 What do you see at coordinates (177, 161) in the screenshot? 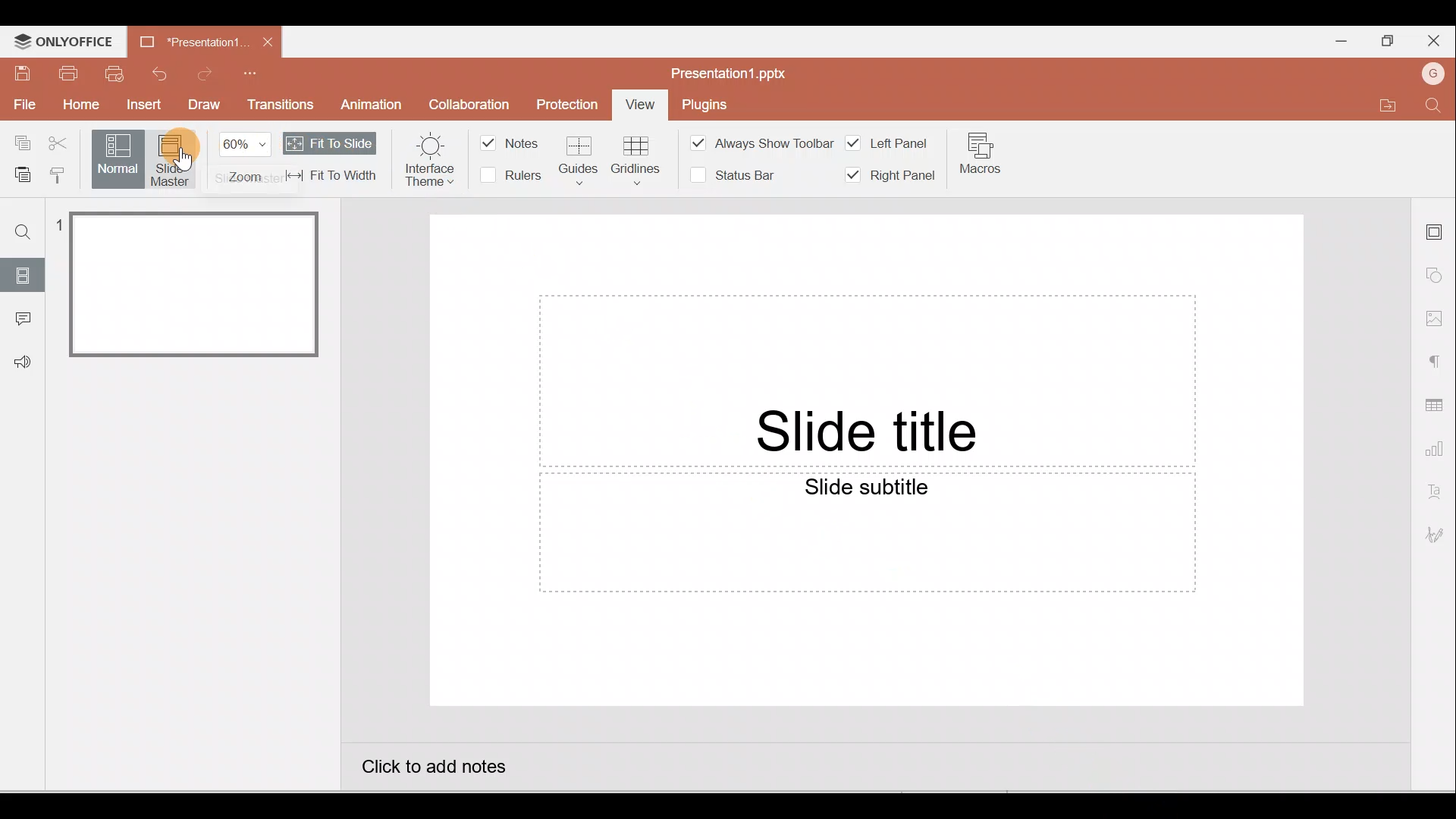
I see `Slide master` at bounding box center [177, 161].